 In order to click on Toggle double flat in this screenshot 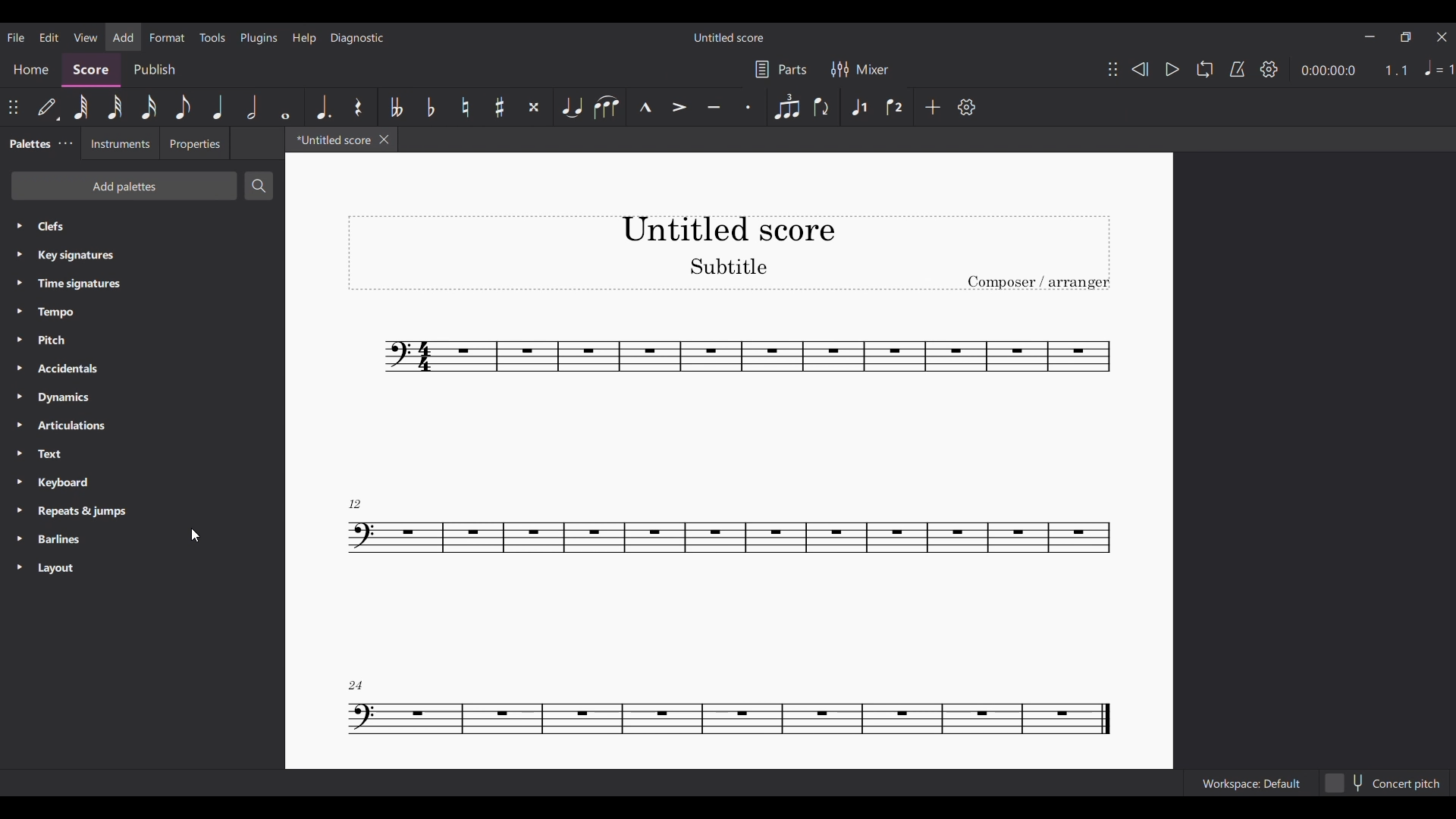, I will do `click(645, 108)`.